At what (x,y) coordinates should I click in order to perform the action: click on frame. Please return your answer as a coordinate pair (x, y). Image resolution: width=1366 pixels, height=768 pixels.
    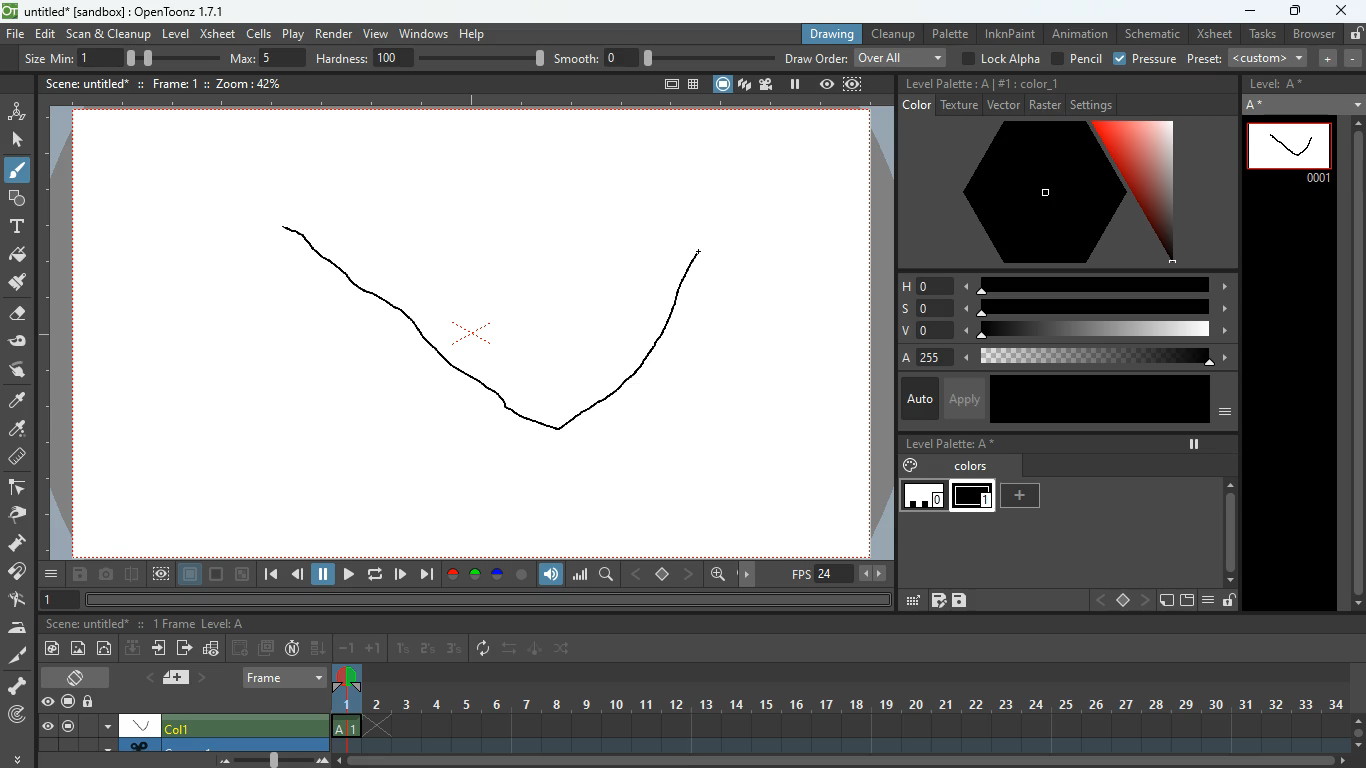
    Looking at the image, I should click on (56, 601).